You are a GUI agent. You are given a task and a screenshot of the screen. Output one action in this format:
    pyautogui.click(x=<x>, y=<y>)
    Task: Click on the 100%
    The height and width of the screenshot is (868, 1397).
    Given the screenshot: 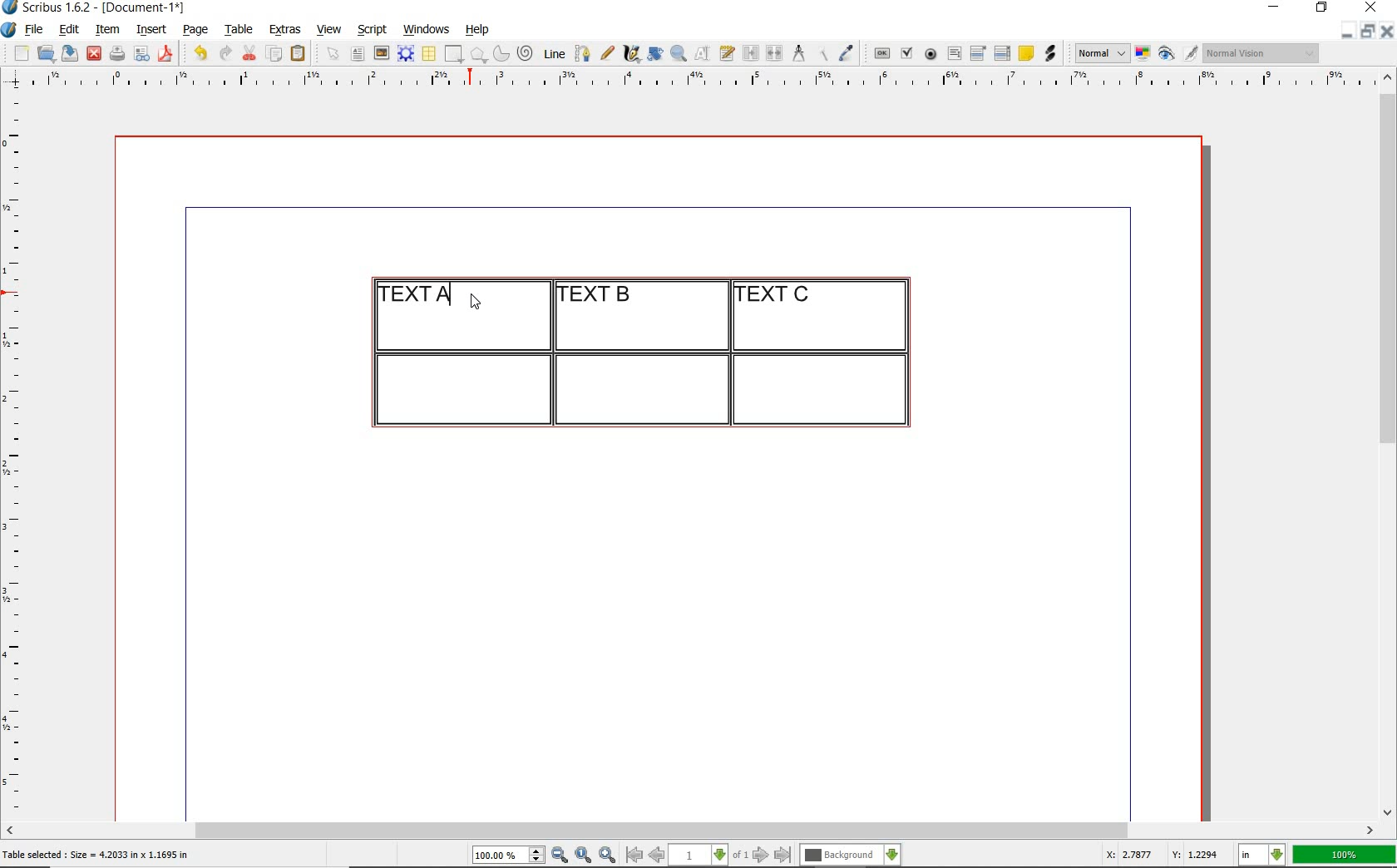 What is the action you would take?
    pyautogui.click(x=1345, y=855)
    